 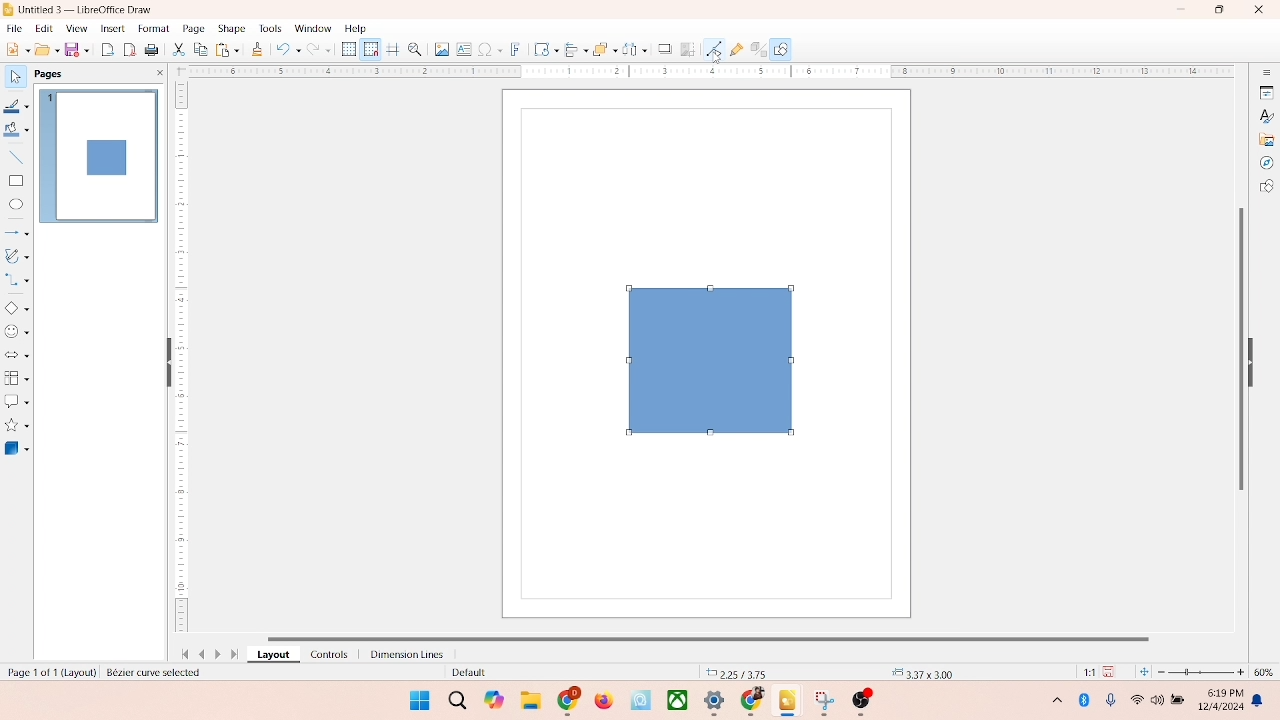 What do you see at coordinates (16, 157) in the screenshot?
I see `insert line` at bounding box center [16, 157].